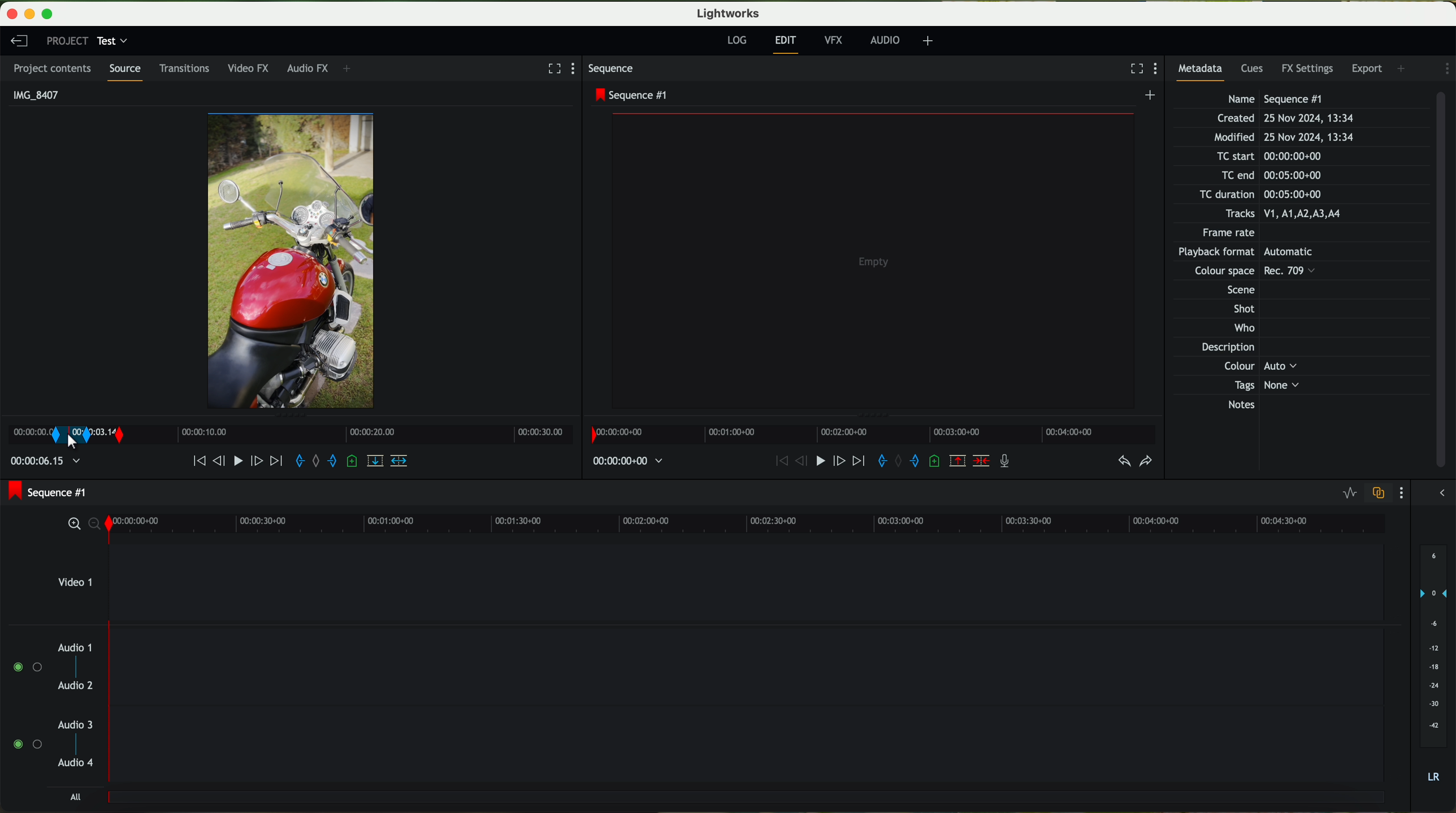 The height and width of the screenshot is (813, 1456). What do you see at coordinates (631, 95) in the screenshot?
I see `sequence #1` at bounding box center [631, 95].